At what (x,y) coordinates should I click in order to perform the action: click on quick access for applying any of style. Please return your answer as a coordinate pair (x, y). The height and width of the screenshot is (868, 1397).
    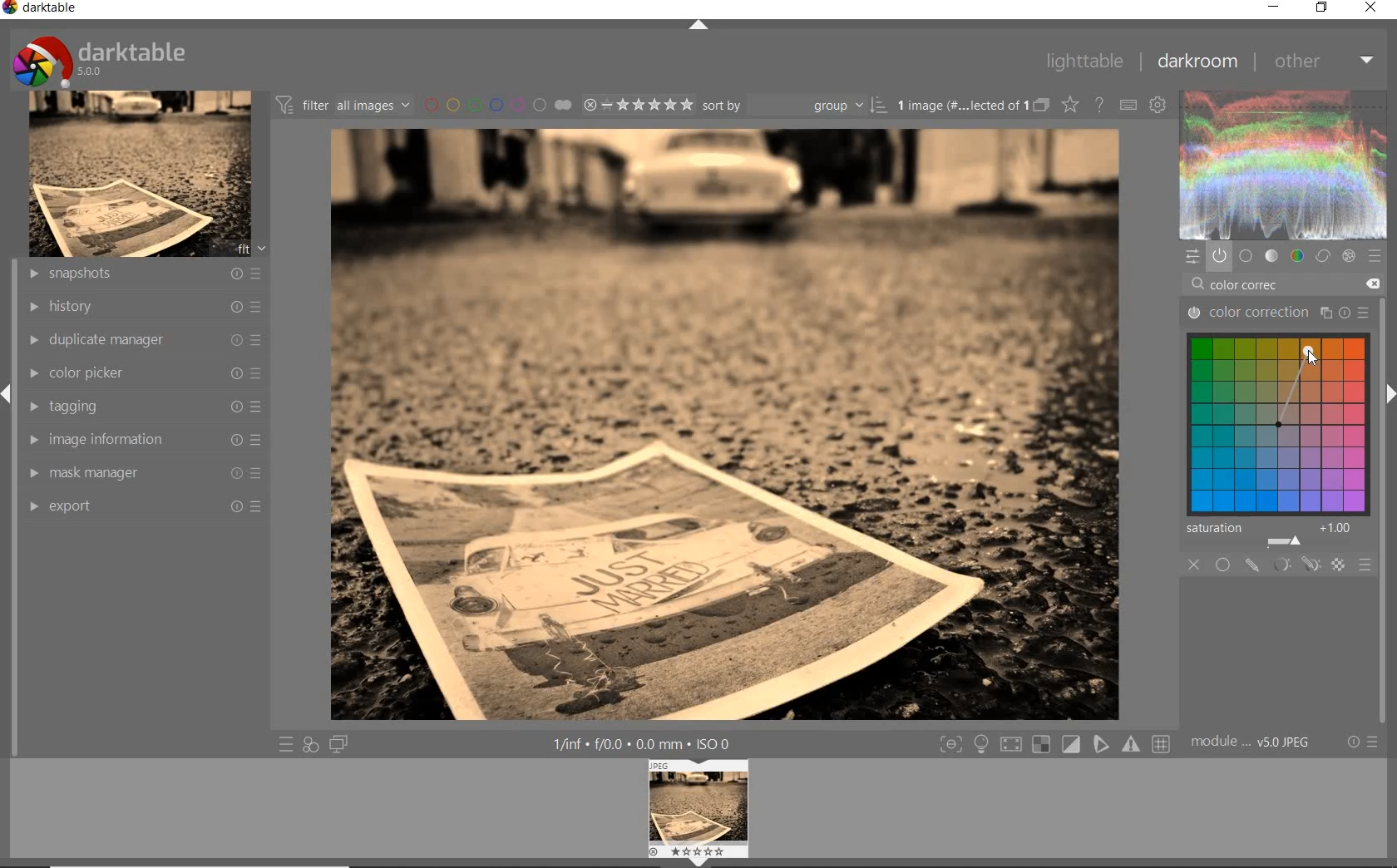
    Looking at the image, I should click on (310, 744).